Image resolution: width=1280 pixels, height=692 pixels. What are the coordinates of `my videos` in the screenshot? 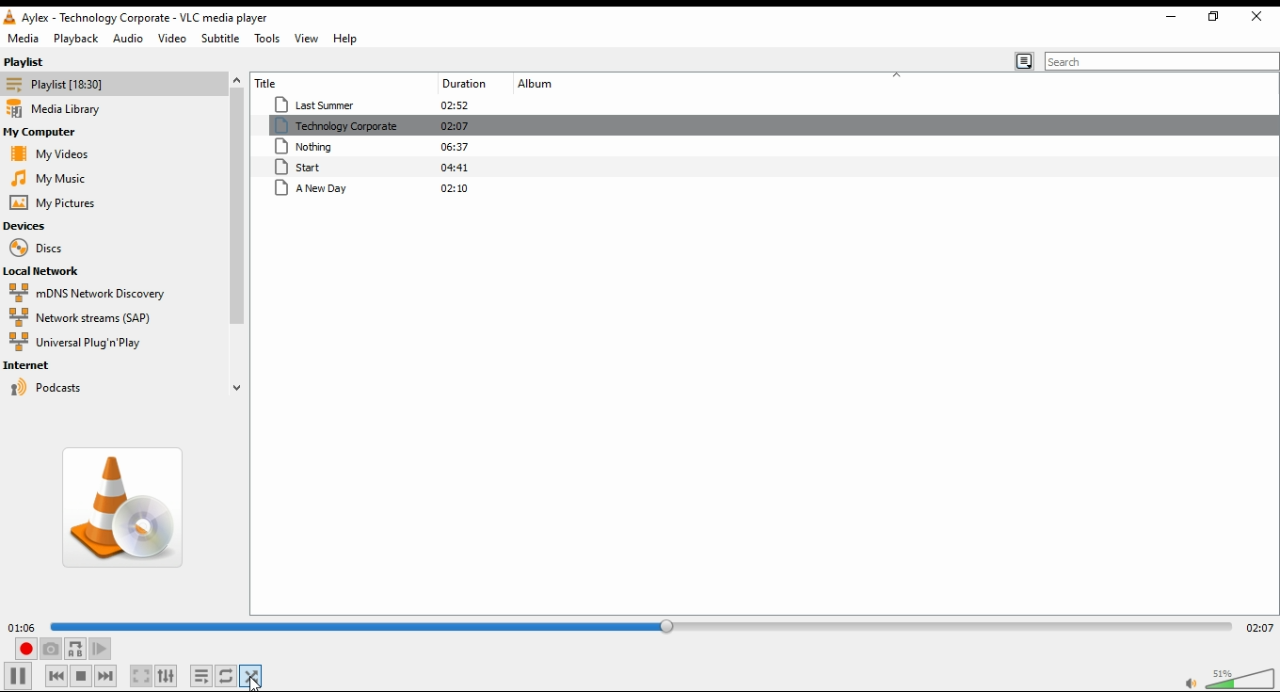 It's located at (48, 154).